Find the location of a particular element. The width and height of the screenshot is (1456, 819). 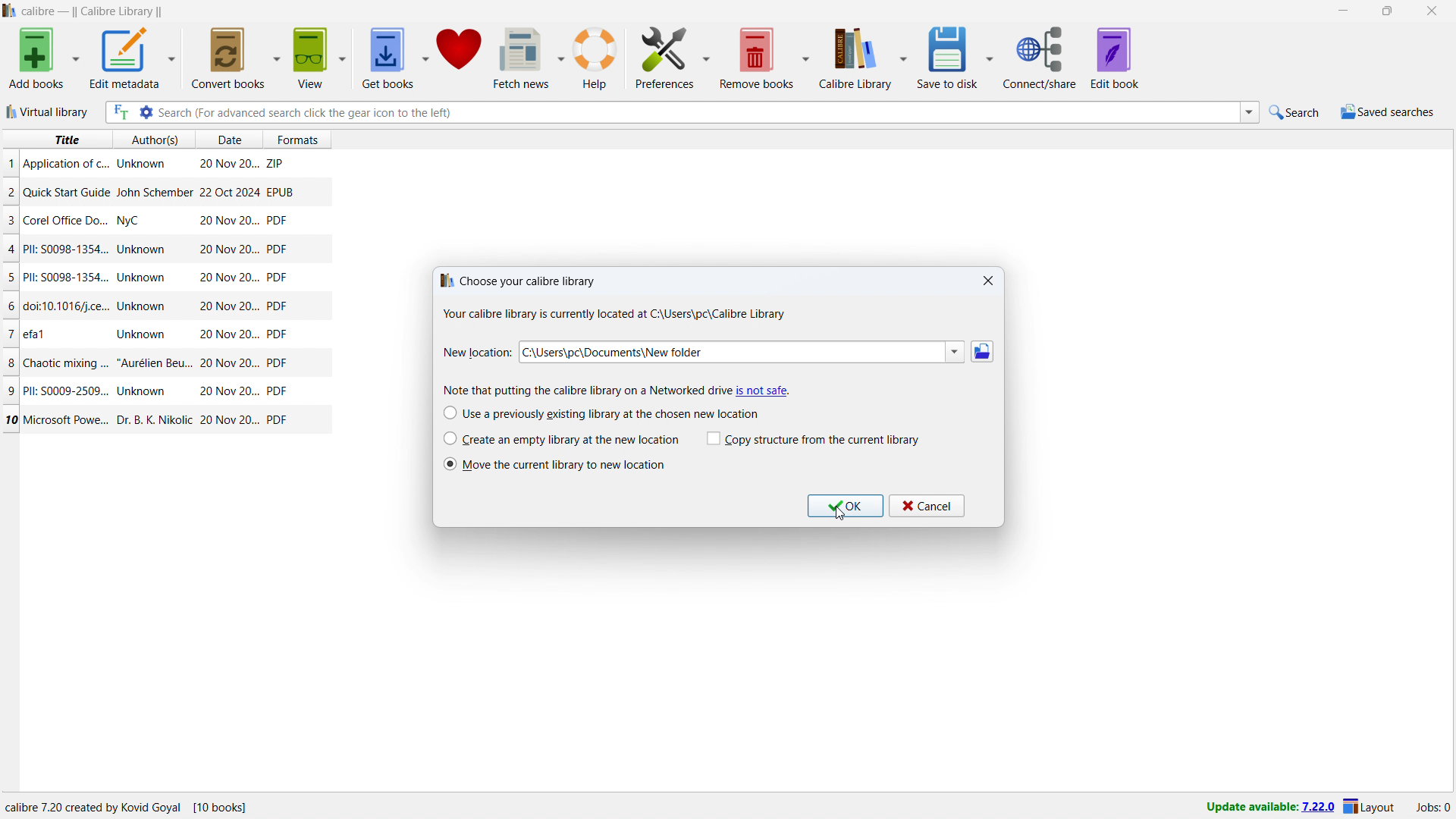

logo is located at coordinates (10, 11).